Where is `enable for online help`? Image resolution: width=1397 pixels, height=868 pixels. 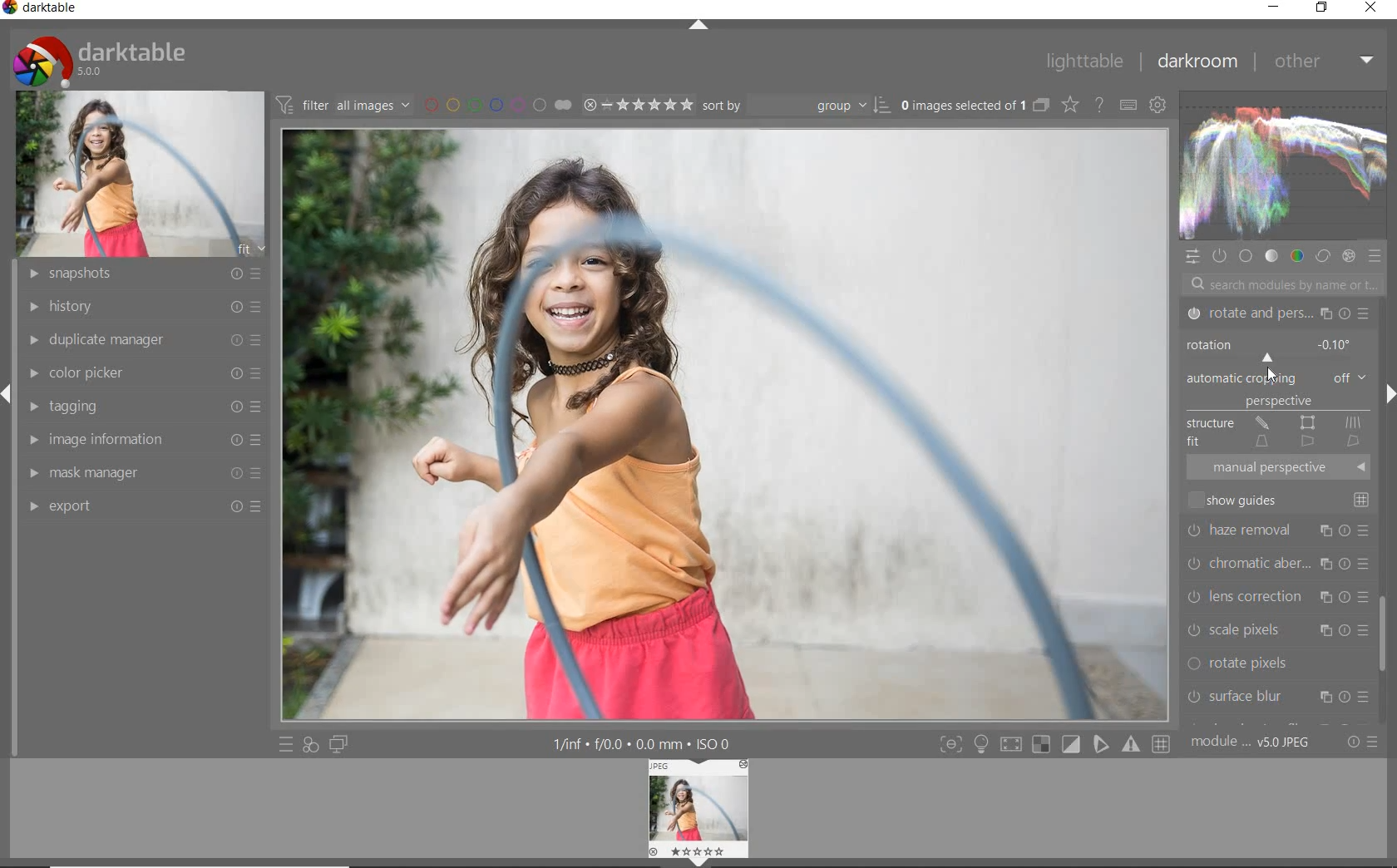
enable for online help is located at coordinates (1099, 105).